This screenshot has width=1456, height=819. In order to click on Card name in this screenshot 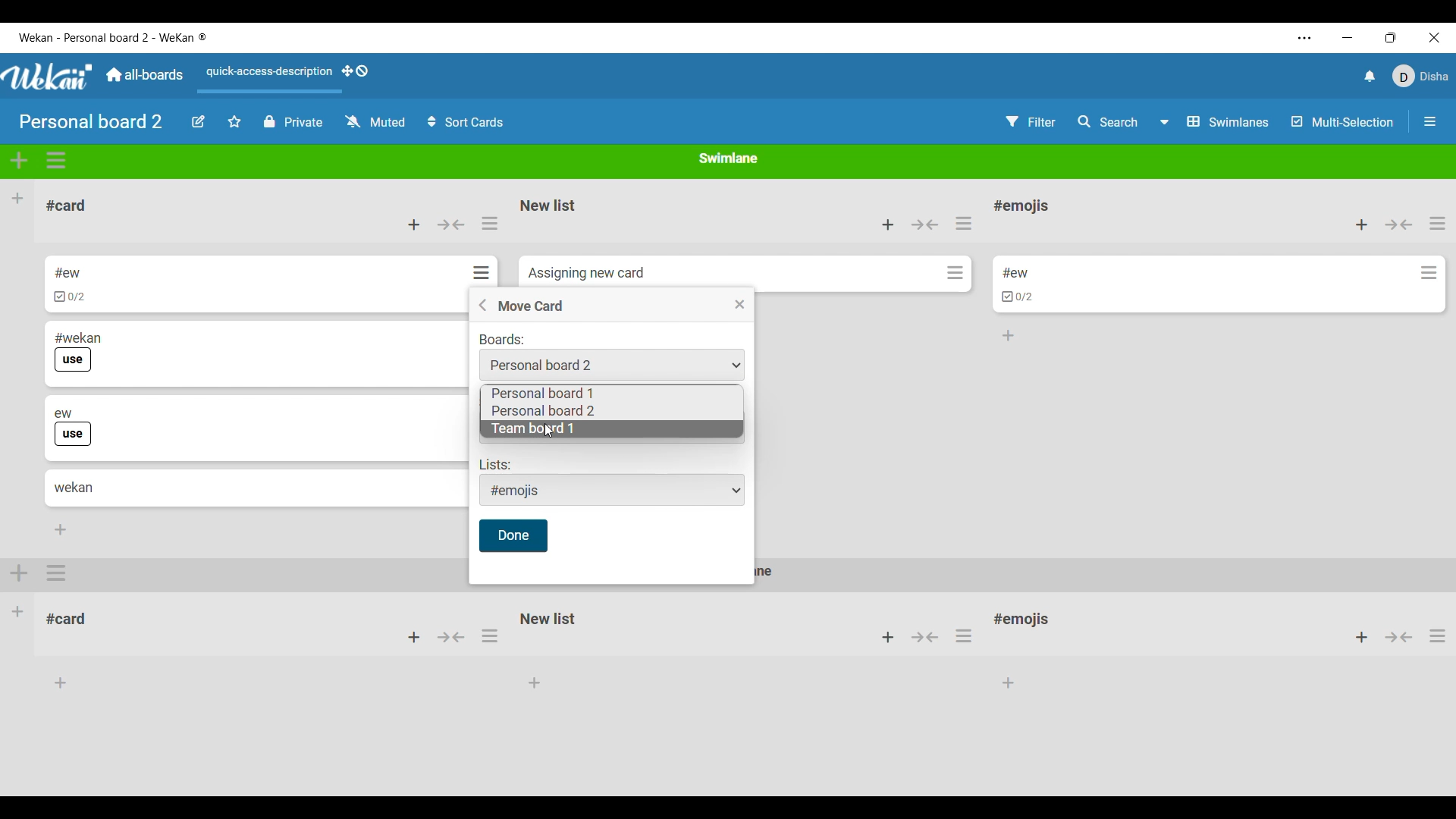, I will do `click(586, 274)`.